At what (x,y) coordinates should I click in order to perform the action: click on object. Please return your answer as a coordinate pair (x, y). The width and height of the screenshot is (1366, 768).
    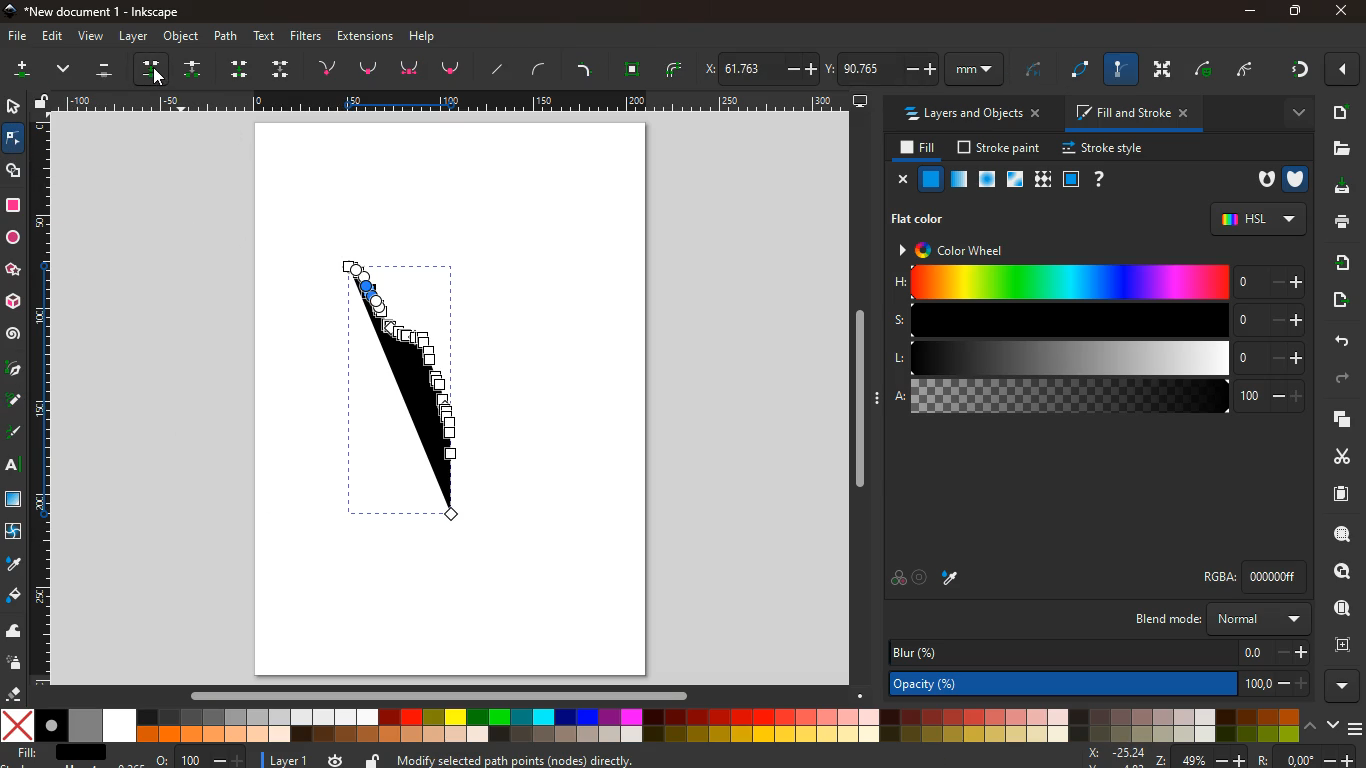
    Looking at the image, I should click on (182, 37).